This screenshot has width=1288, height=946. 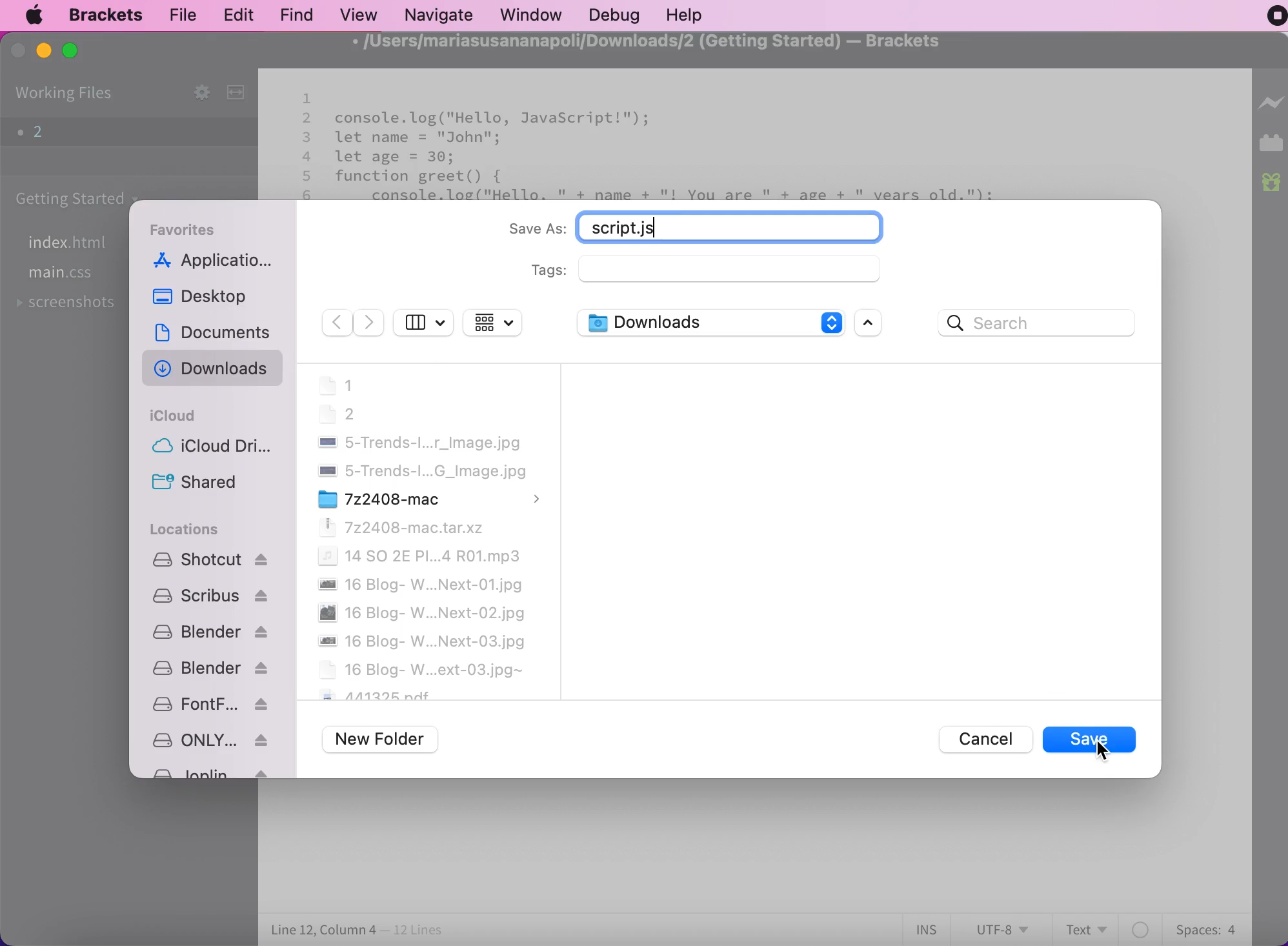 What do you see at coordinates (438, 14) in the screenshot?
I see `navigate` at bounding box center [438, 14].